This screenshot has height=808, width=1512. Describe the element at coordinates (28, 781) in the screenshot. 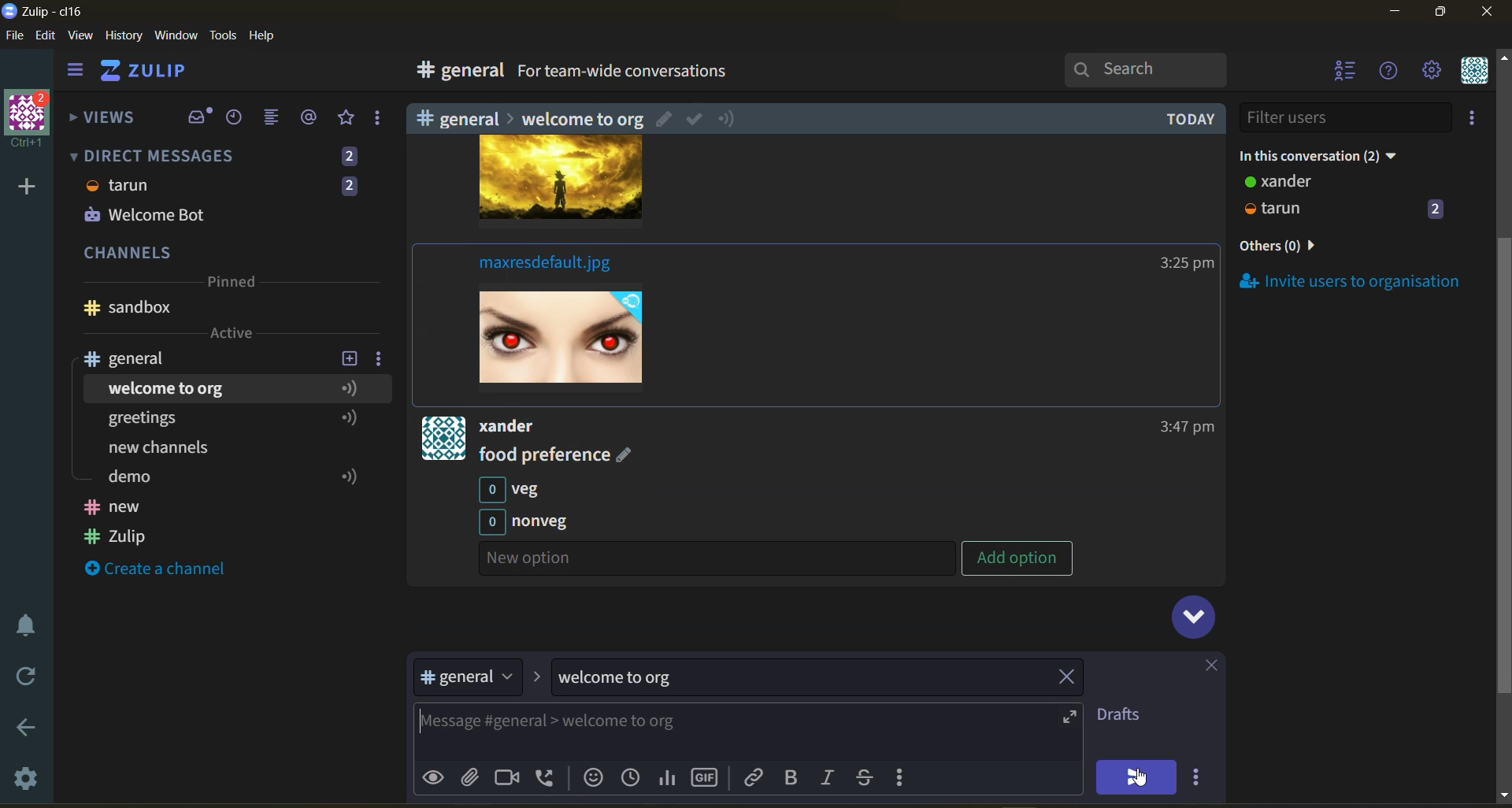

I see `settings` at that location.